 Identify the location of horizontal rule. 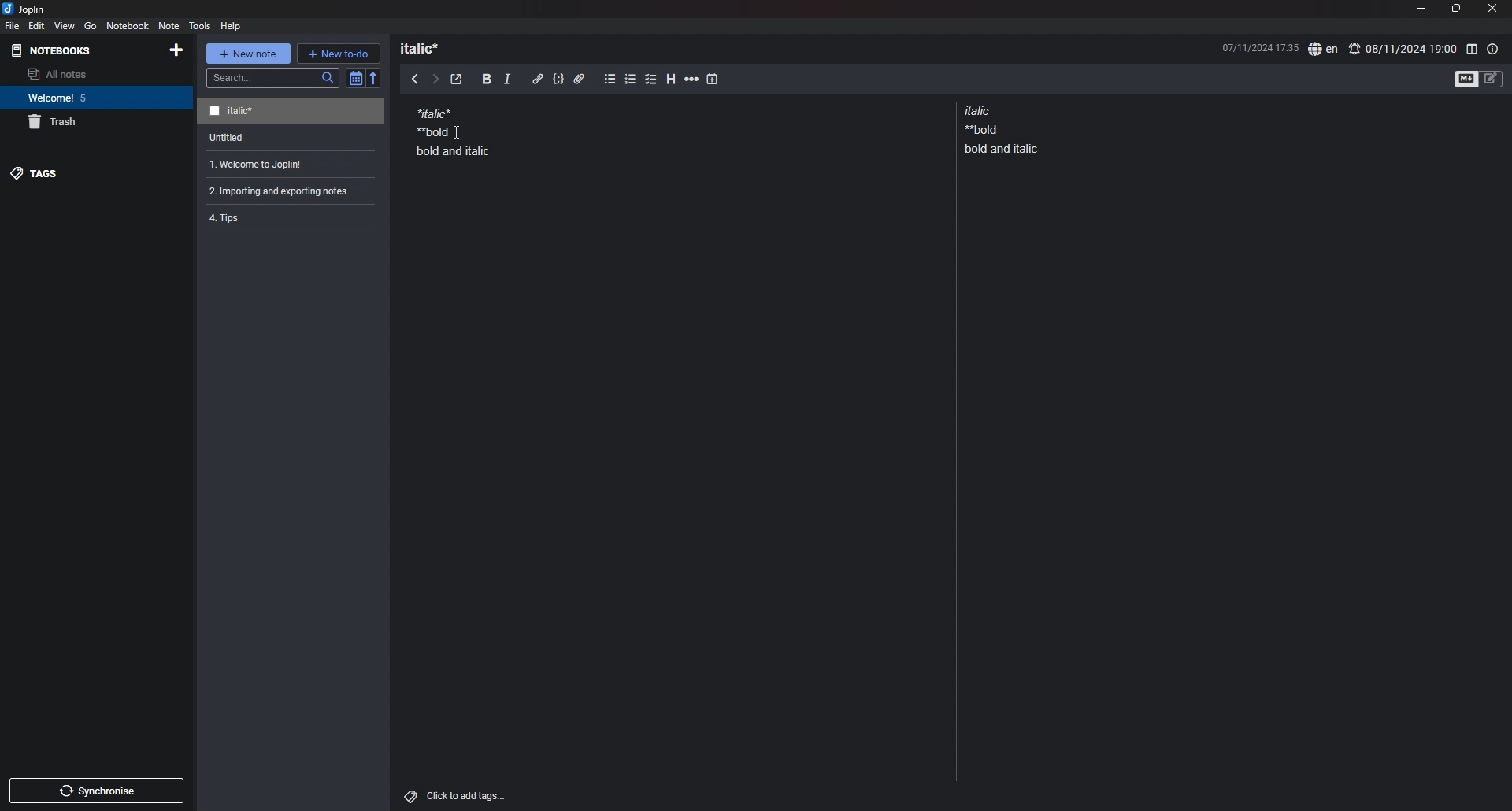
(691, 81).